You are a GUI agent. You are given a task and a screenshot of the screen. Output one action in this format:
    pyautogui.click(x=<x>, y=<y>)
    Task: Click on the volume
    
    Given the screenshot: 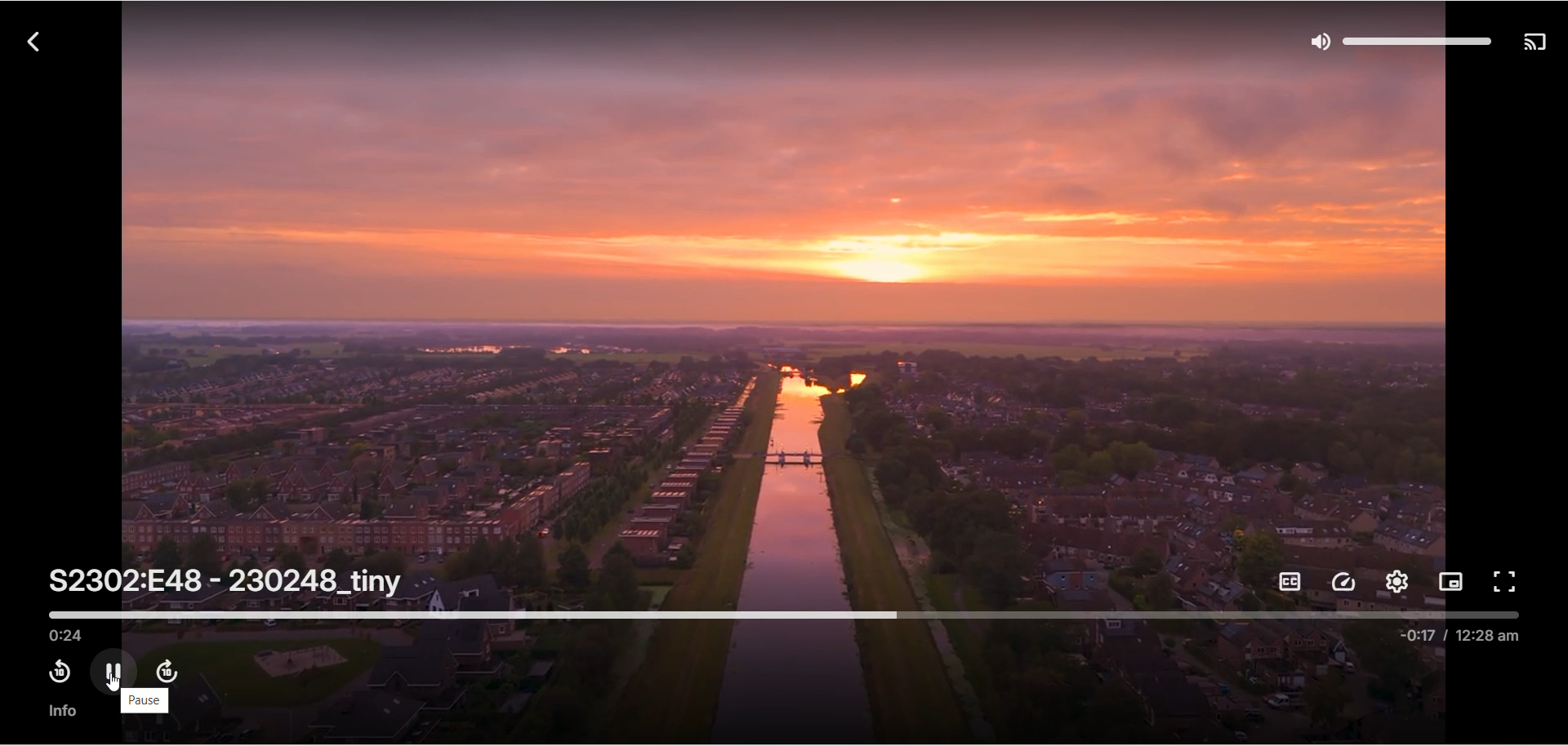 What is the action you would take?
    pyautogui.click(x=1395, y=41)
    